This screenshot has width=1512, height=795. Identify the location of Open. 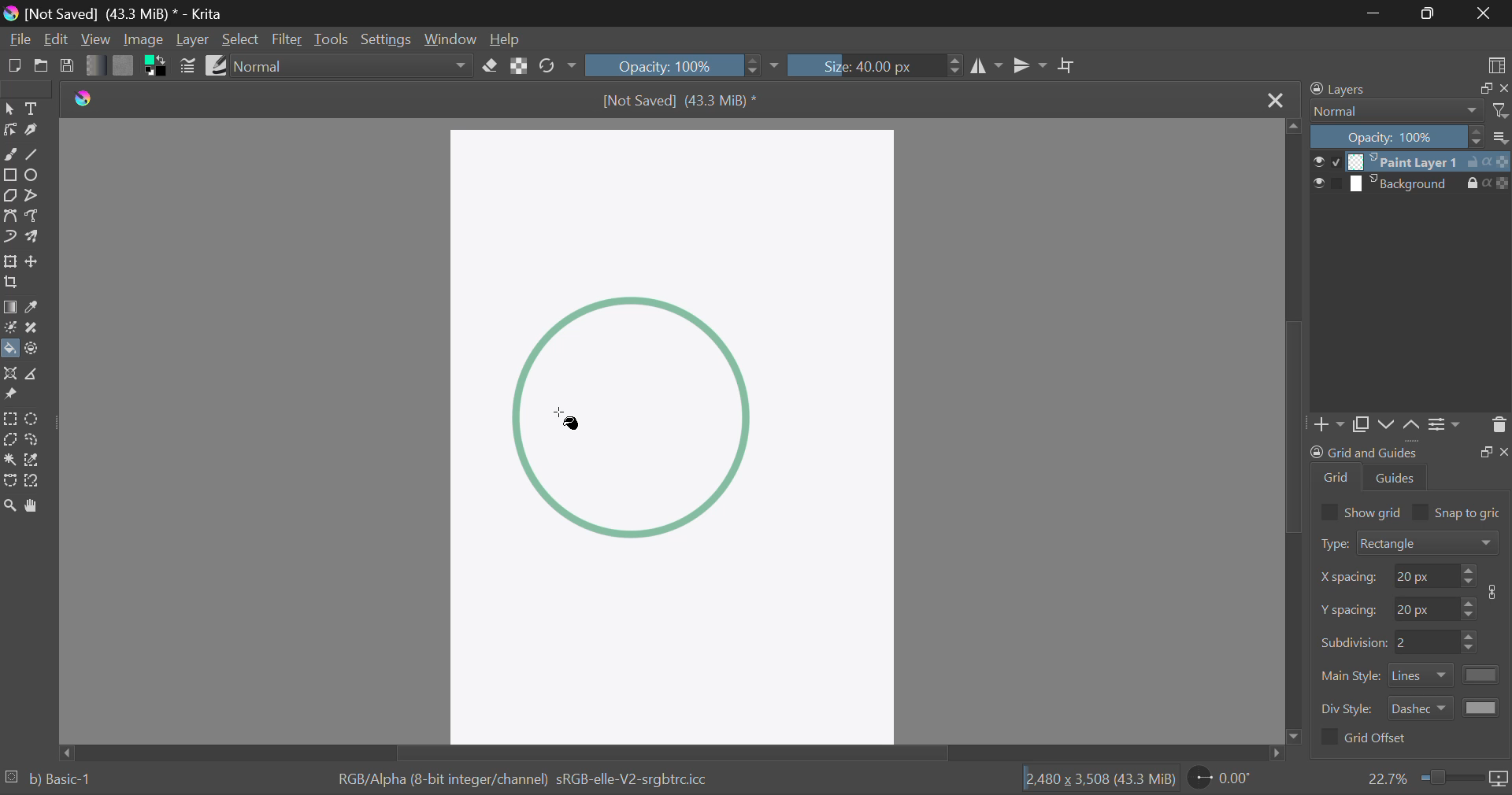
(43, 65).